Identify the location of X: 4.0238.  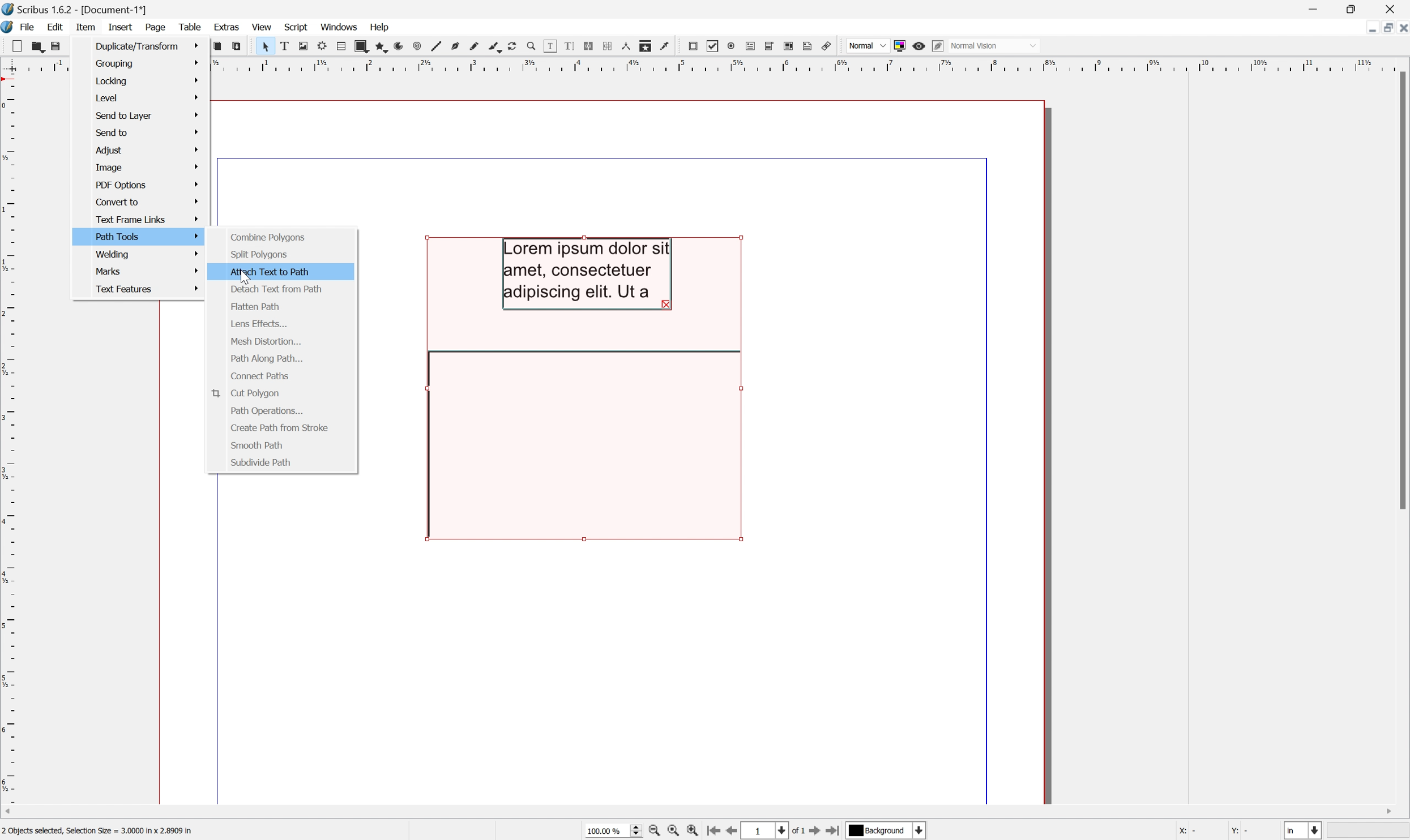
(1195, 832).